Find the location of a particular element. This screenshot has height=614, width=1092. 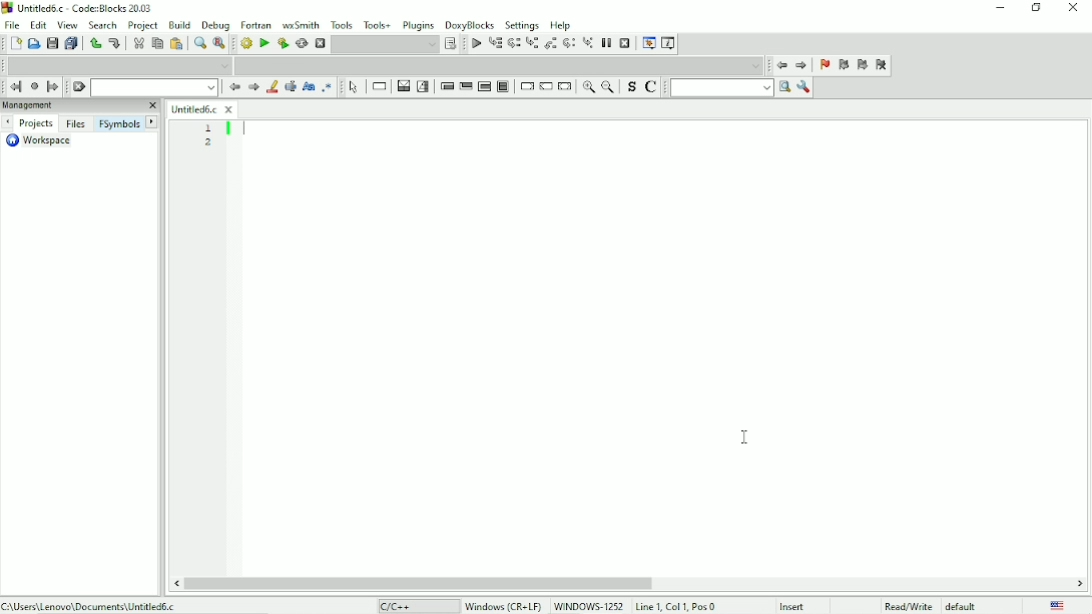

Zoom out is located at coordinates (609, 88).